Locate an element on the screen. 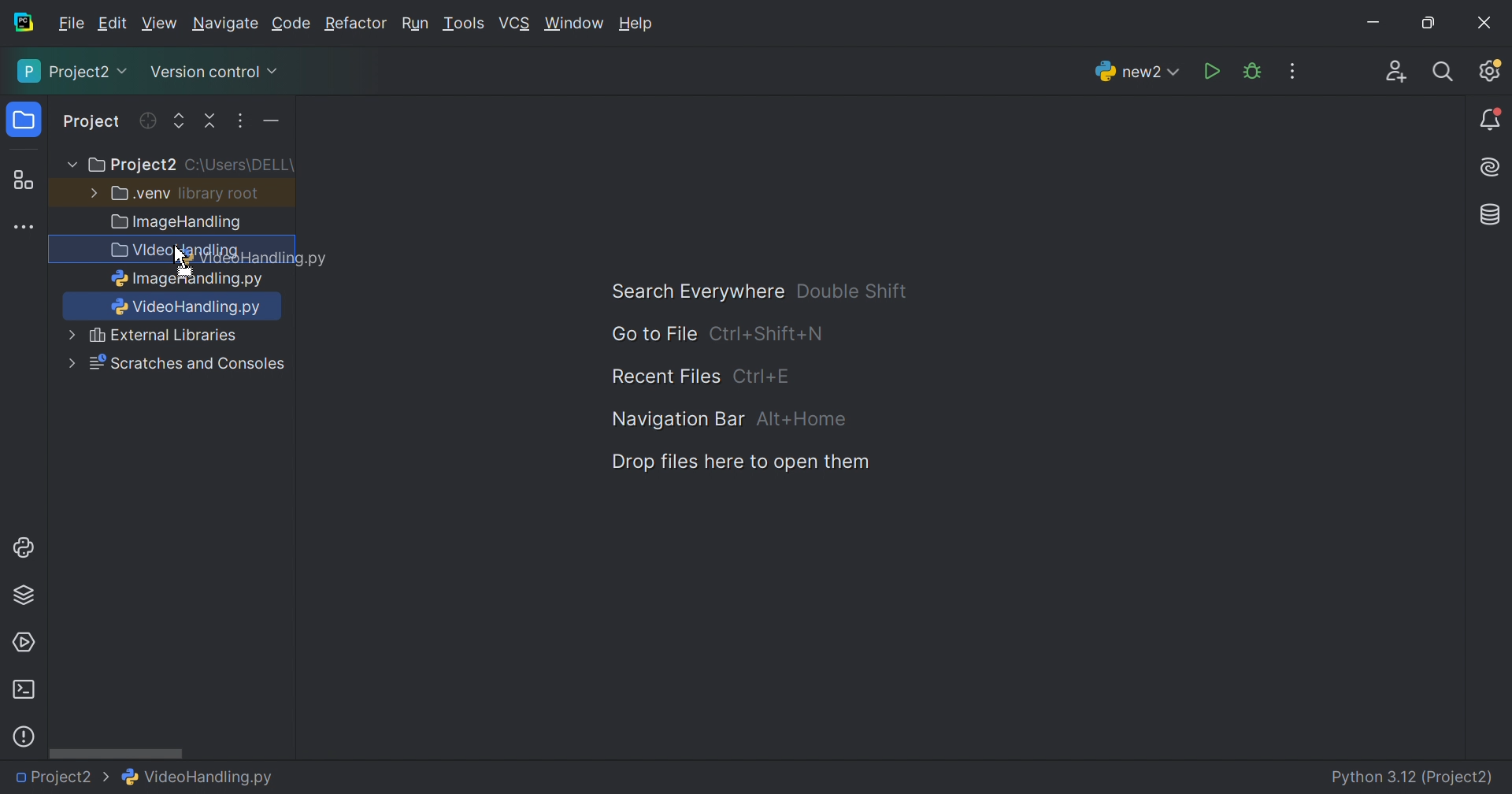 The width and height of the screenshot is (1512, 794). Python console is located at coordinates (26, 547).